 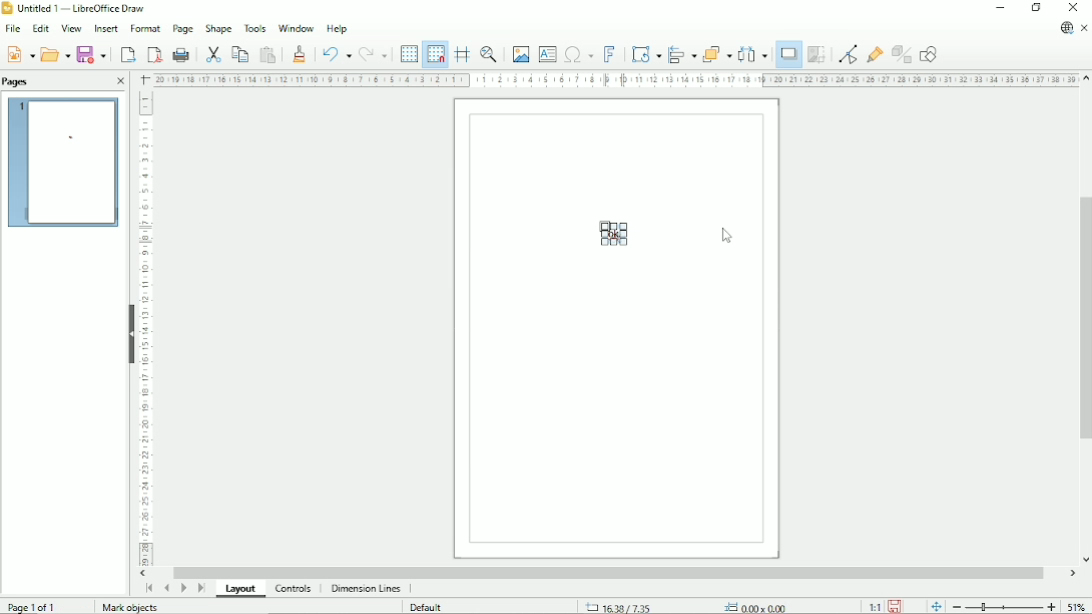 I want to click on Copy, so click(x=241, y=54).